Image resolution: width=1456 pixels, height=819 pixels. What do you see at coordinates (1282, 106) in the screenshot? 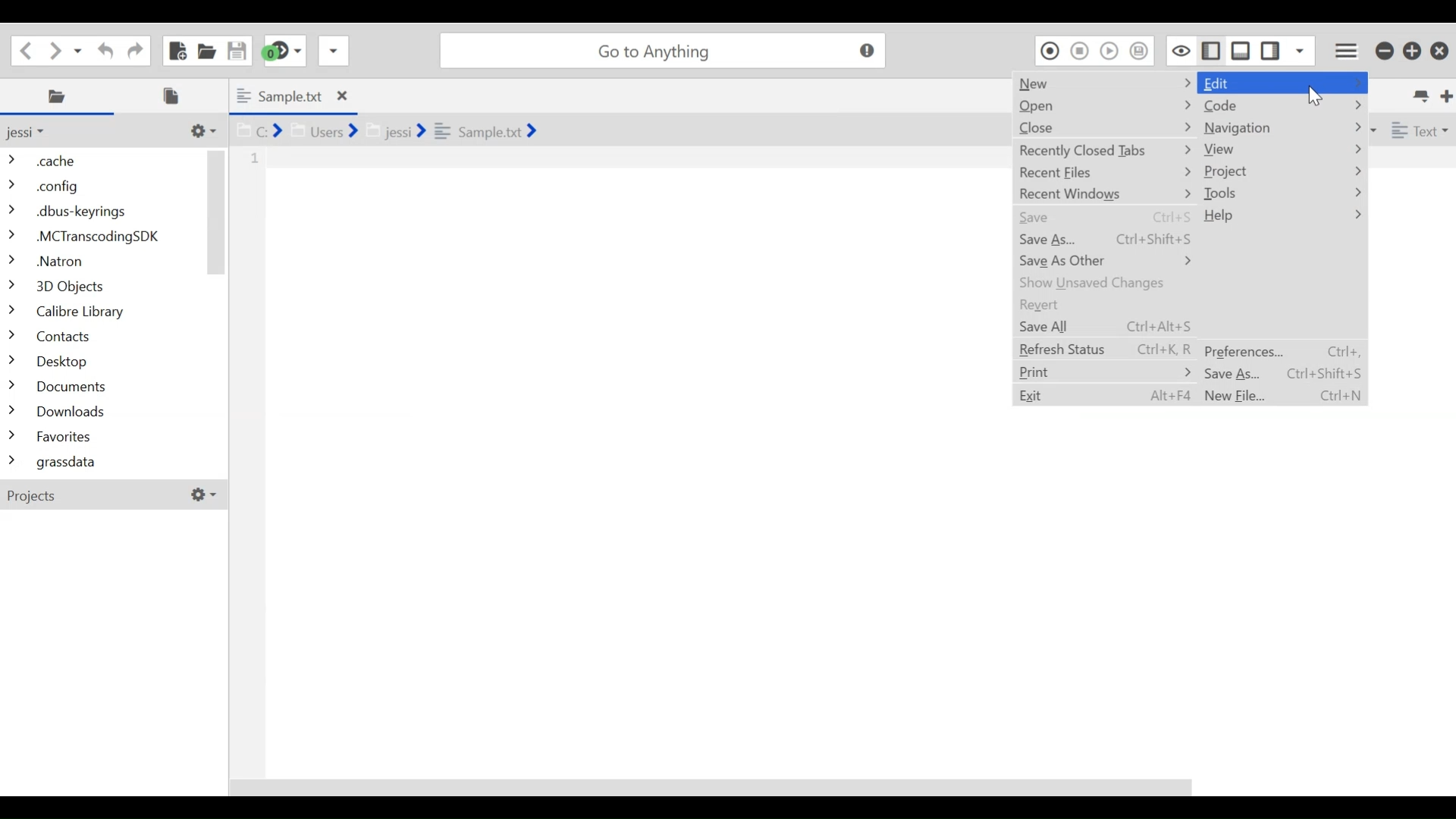
I see `Code` at bounding box center [1282, 106].